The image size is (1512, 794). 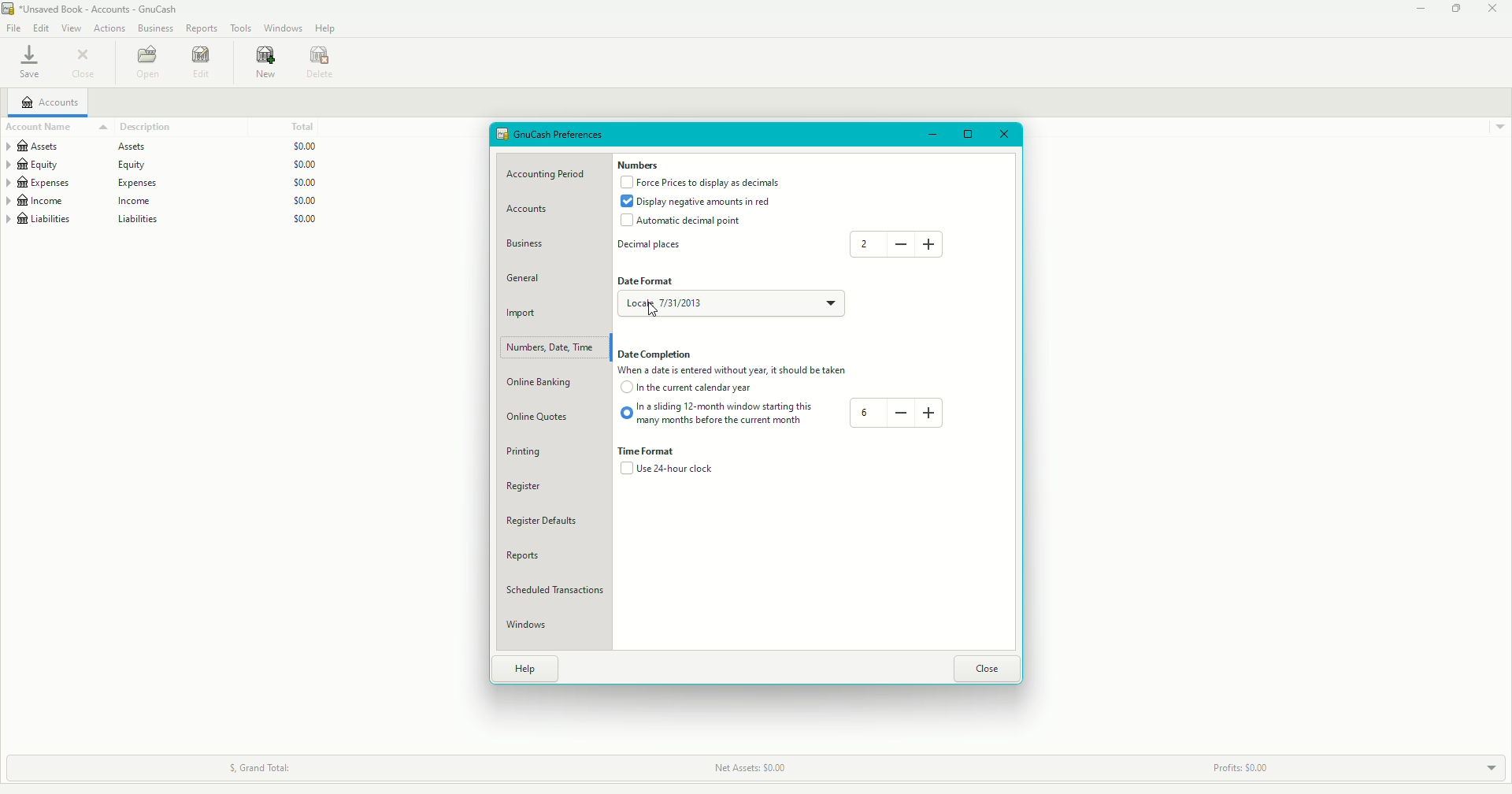 What do you see at coordinates (308, 128) in the screenshot?
I see `Total` at bounding box center [308, 128].